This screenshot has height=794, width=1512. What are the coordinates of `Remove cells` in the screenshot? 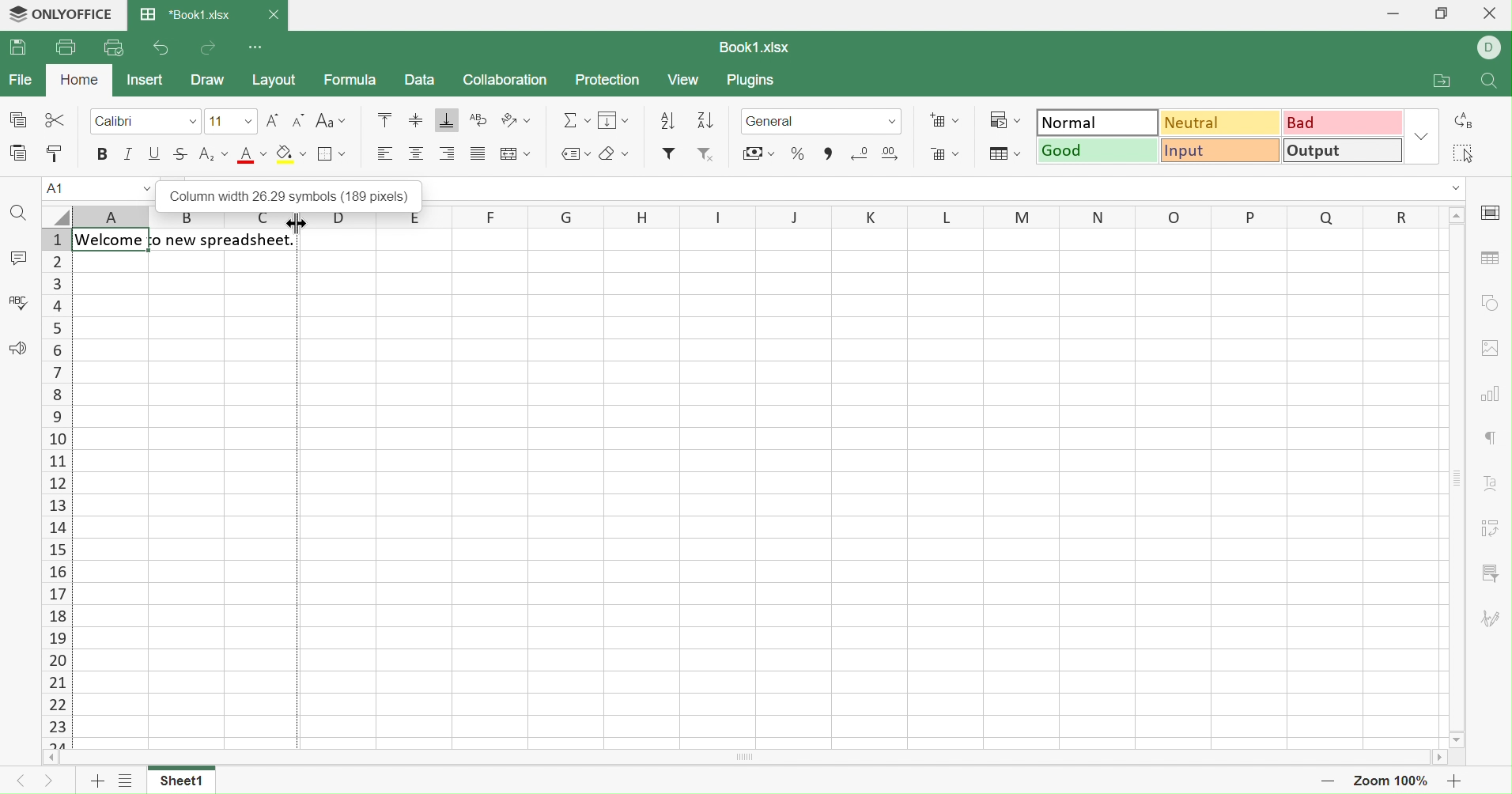 It's located at (946, 155).